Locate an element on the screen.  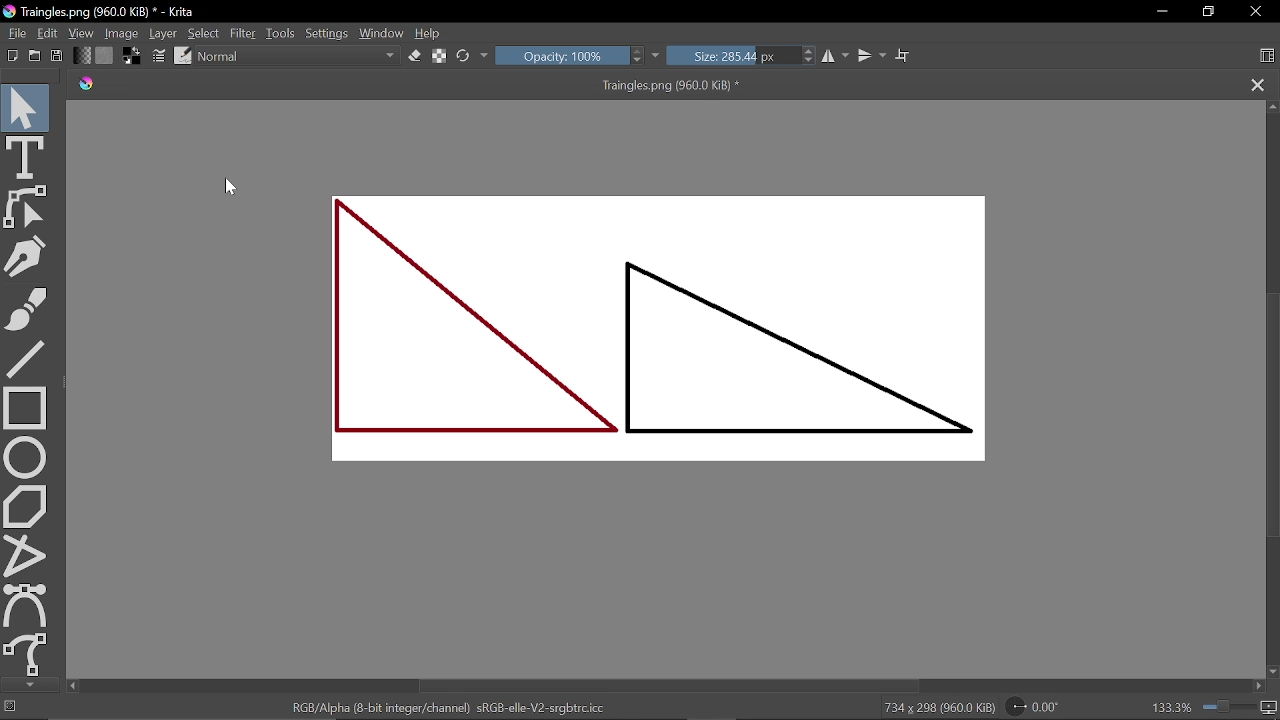
Select shapes tool is located at coordinates (25, 107).